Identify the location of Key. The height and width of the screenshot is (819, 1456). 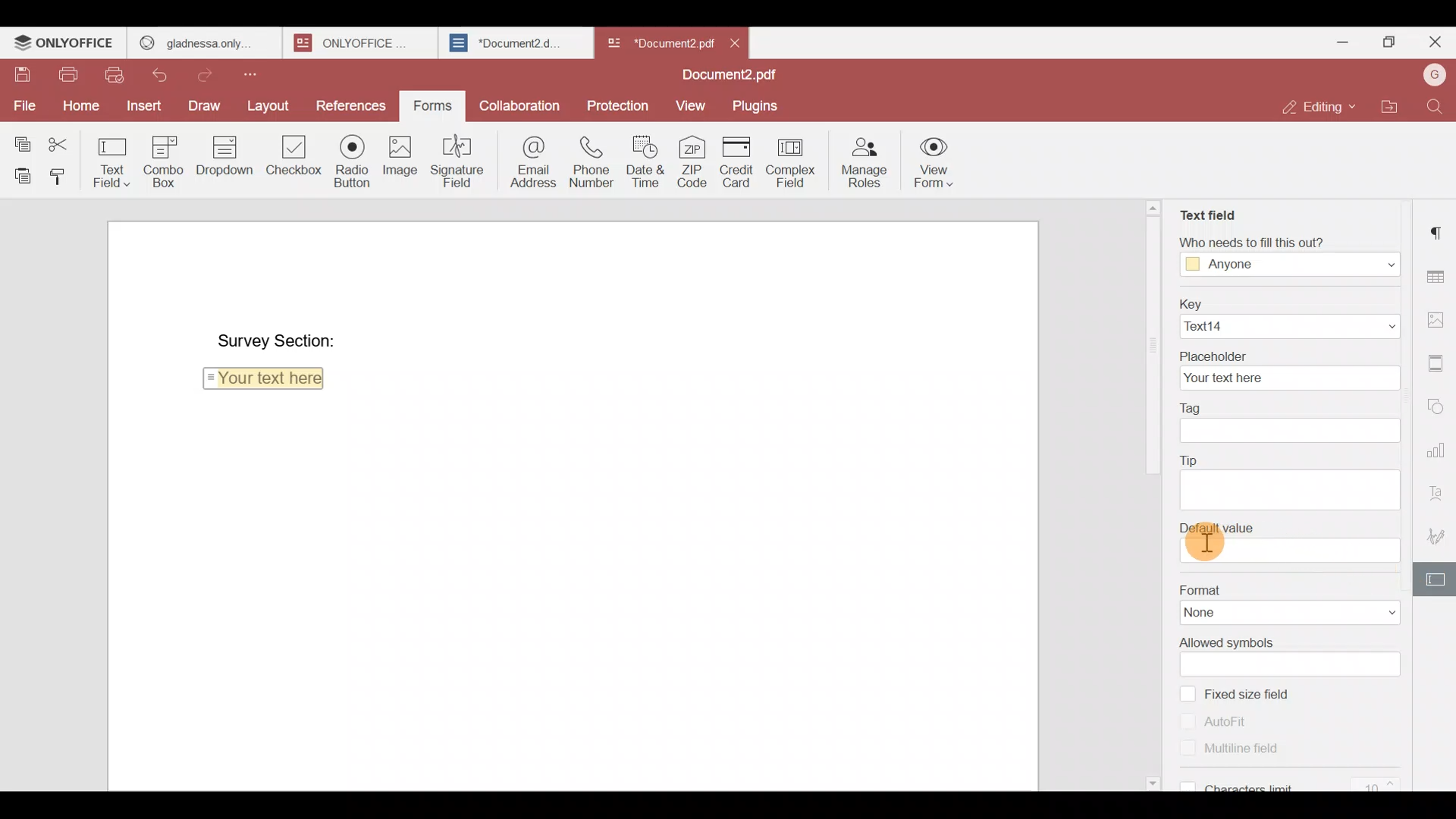
(1285, 303).